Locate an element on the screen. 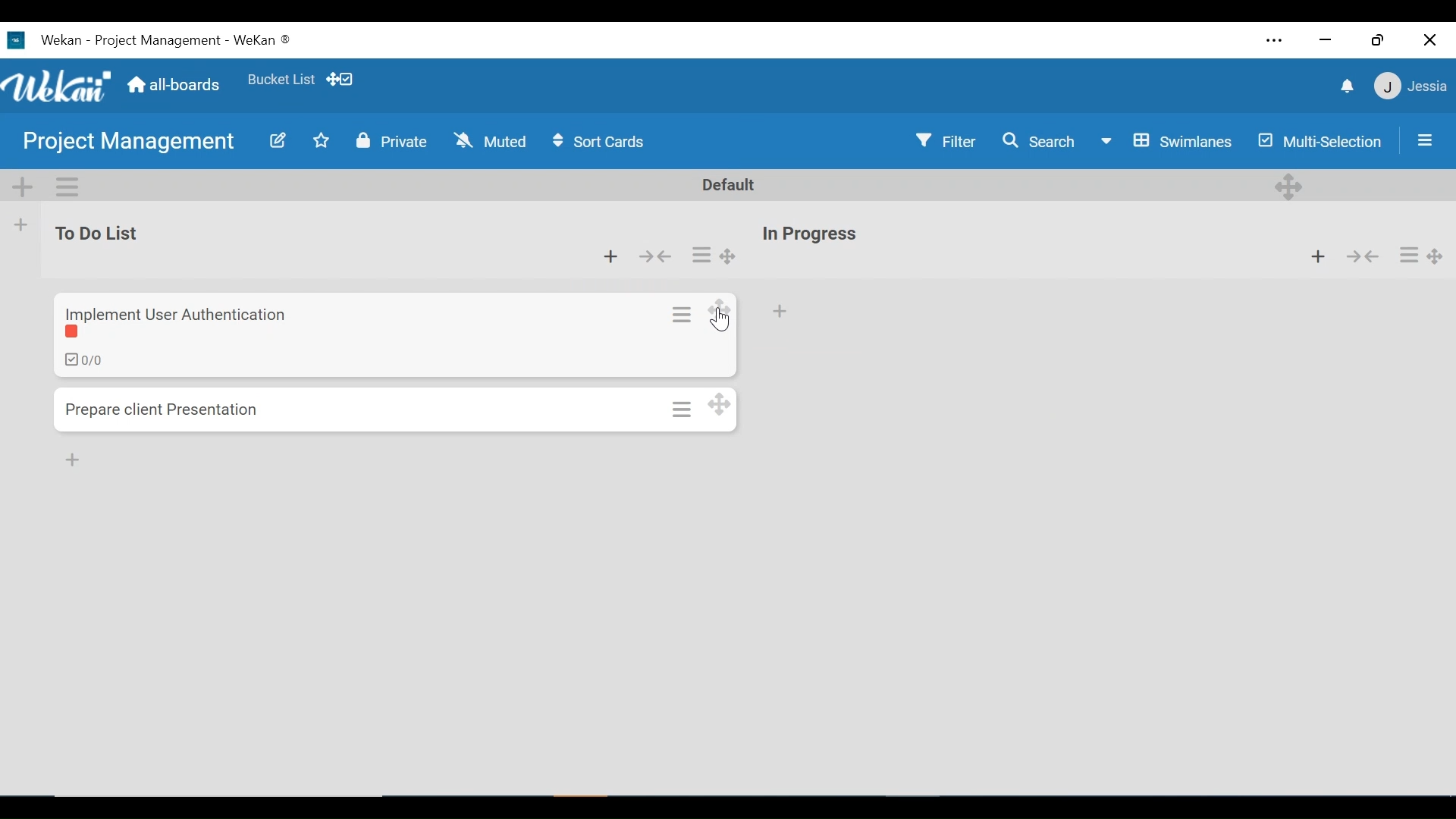 The width and height of the screenshot is (1456, 819). Desktop drag handles is located at coordinates (720, 404).